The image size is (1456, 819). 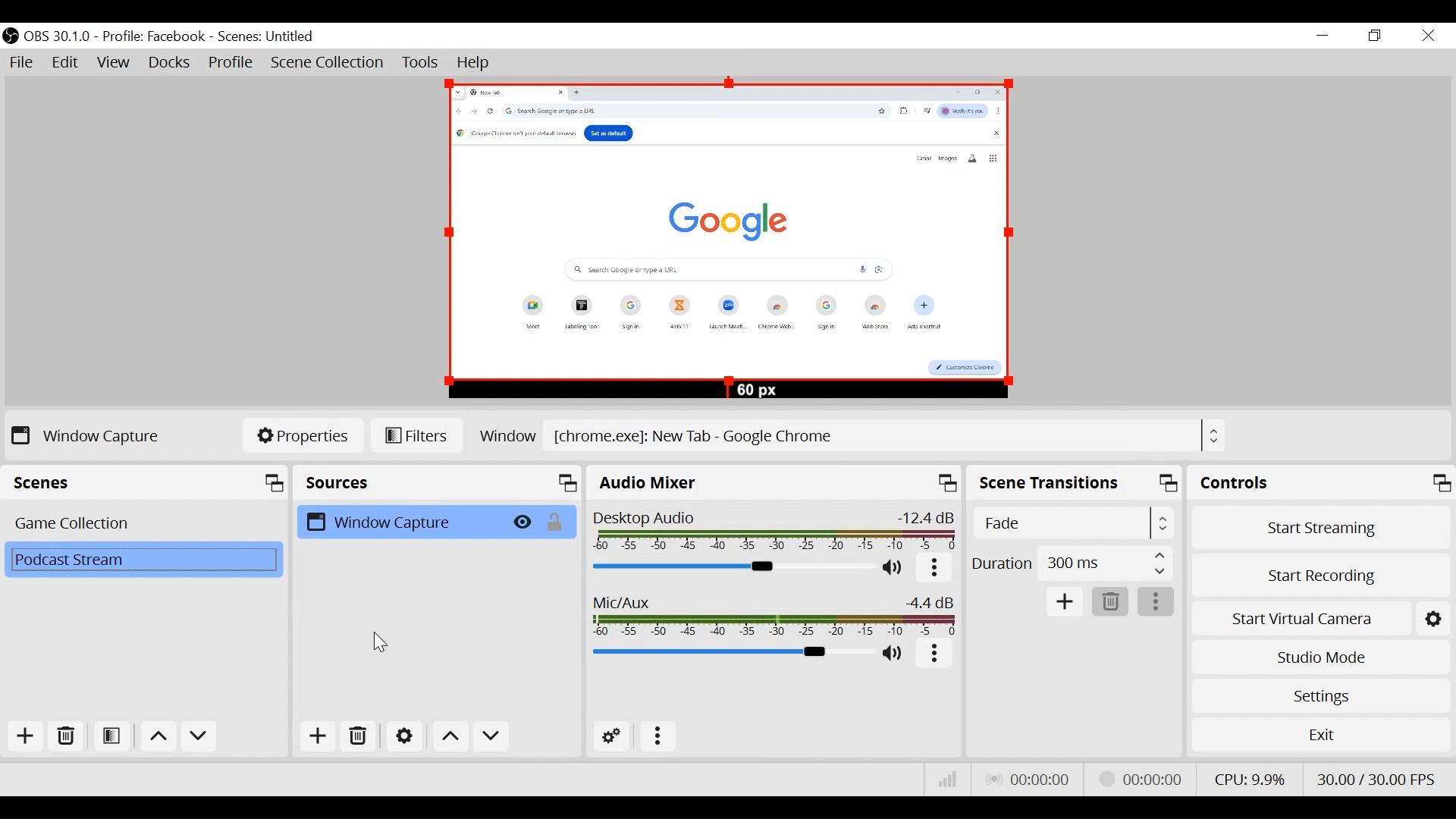 What do you see at coordinates (1156, 601) in the screenshot?
I see `More options` at bounding box center [1156, 601].